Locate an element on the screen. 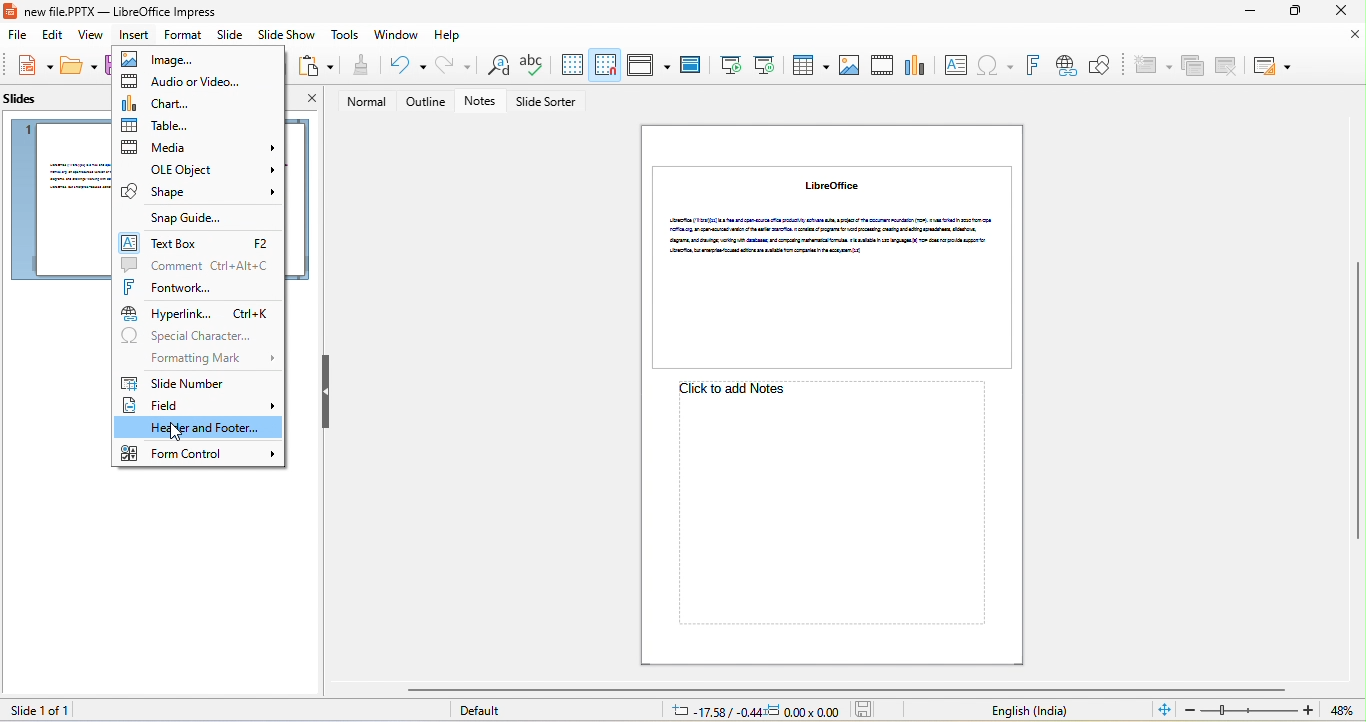  media is located at coordinates (198, 146).